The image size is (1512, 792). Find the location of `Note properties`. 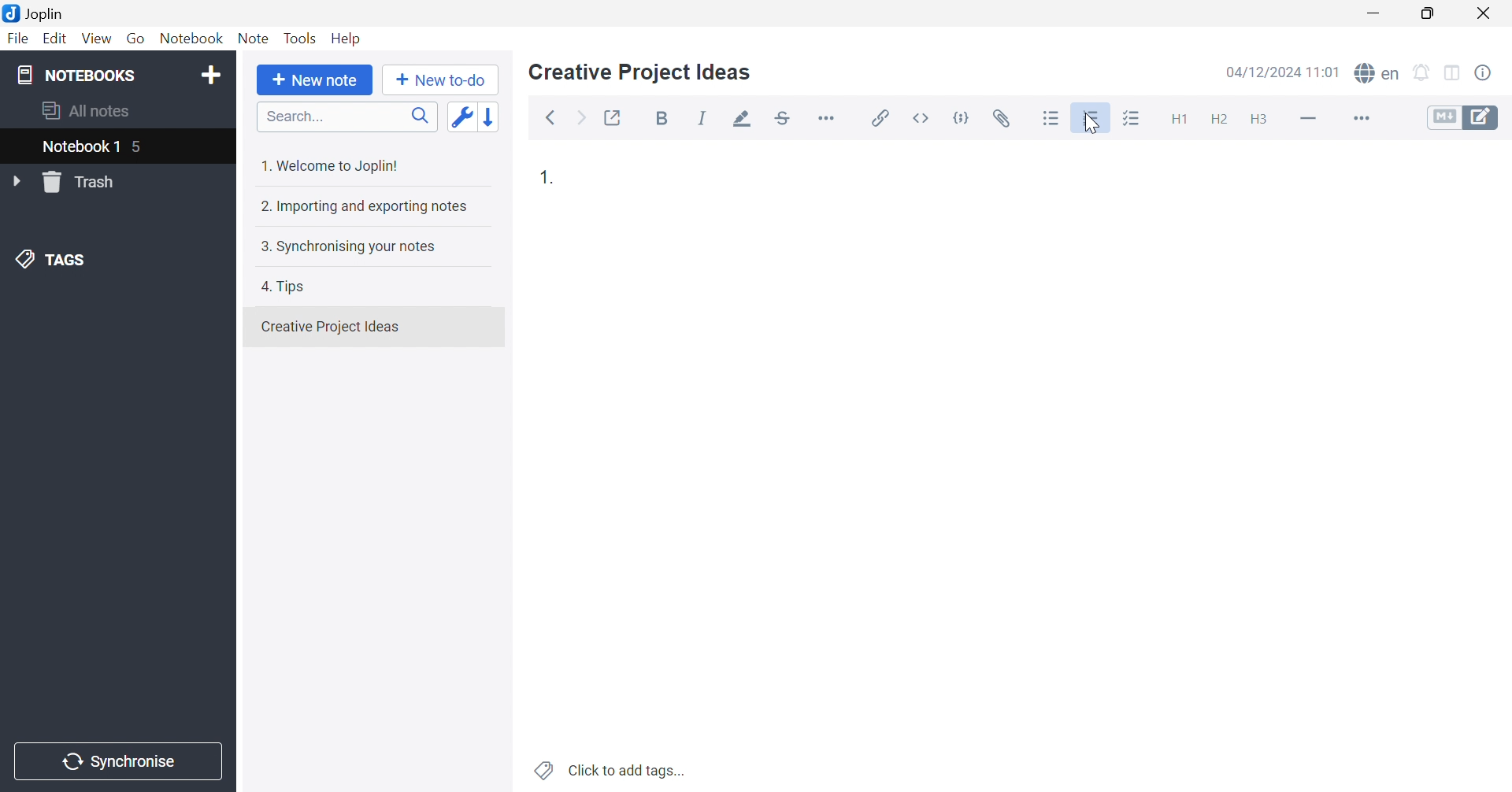

Note properties is located at coordinates (1492, 73).